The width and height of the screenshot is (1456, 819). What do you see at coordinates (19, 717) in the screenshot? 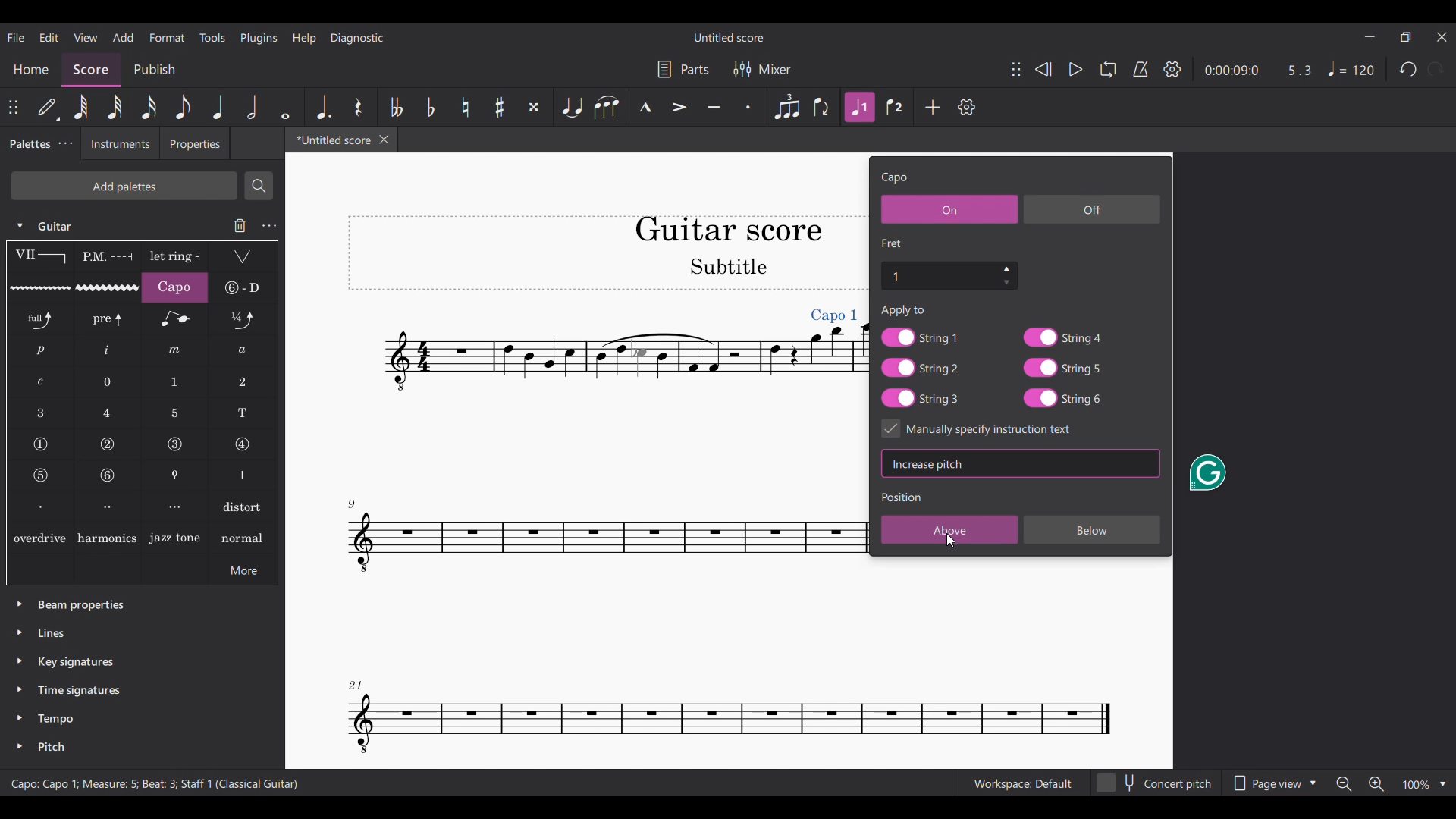
I see `Click to expand tempo palette` at bounding box center [19, 717].